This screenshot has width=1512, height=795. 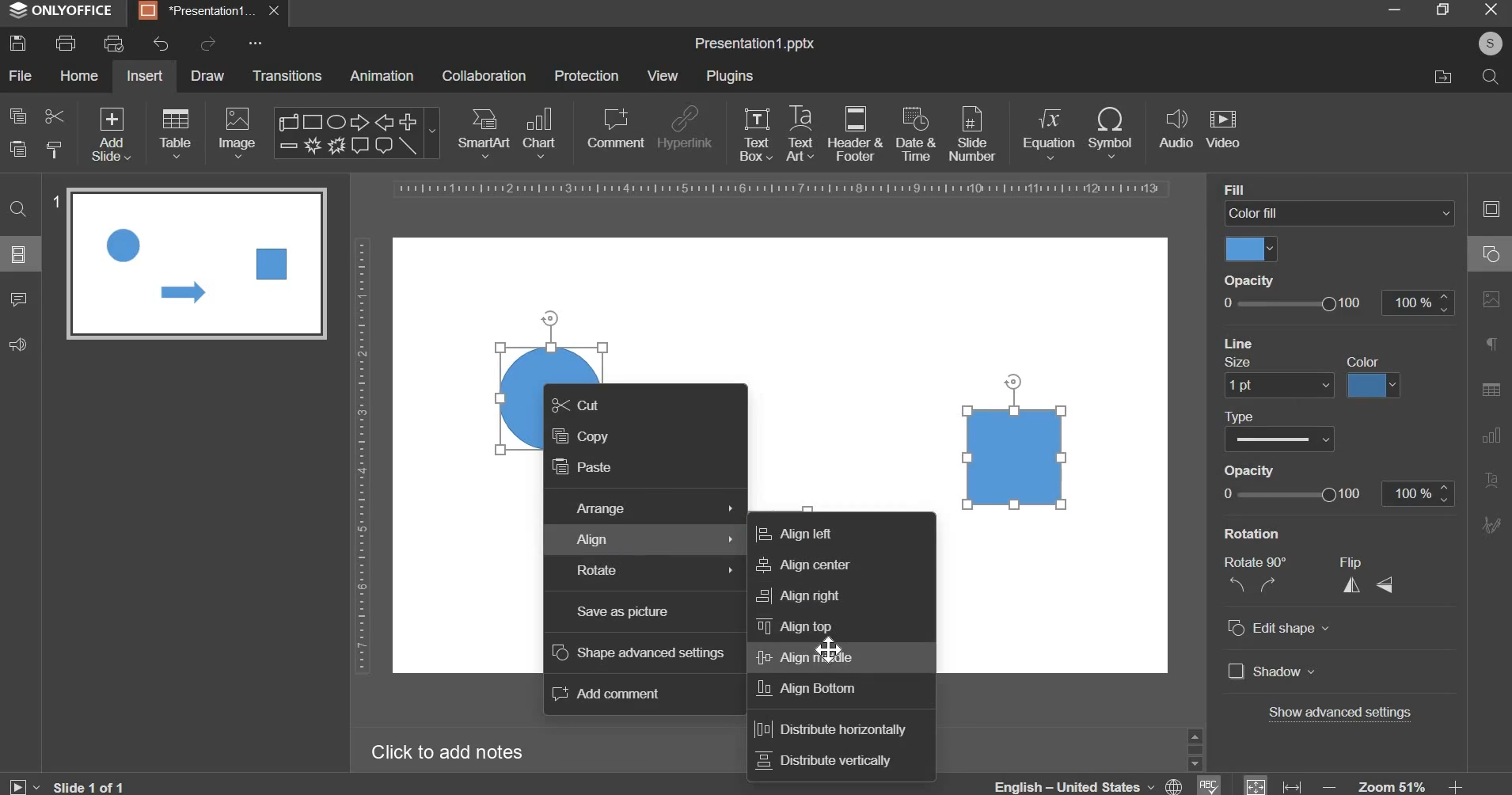 I want to click on shape, so click(x=355, y=133).